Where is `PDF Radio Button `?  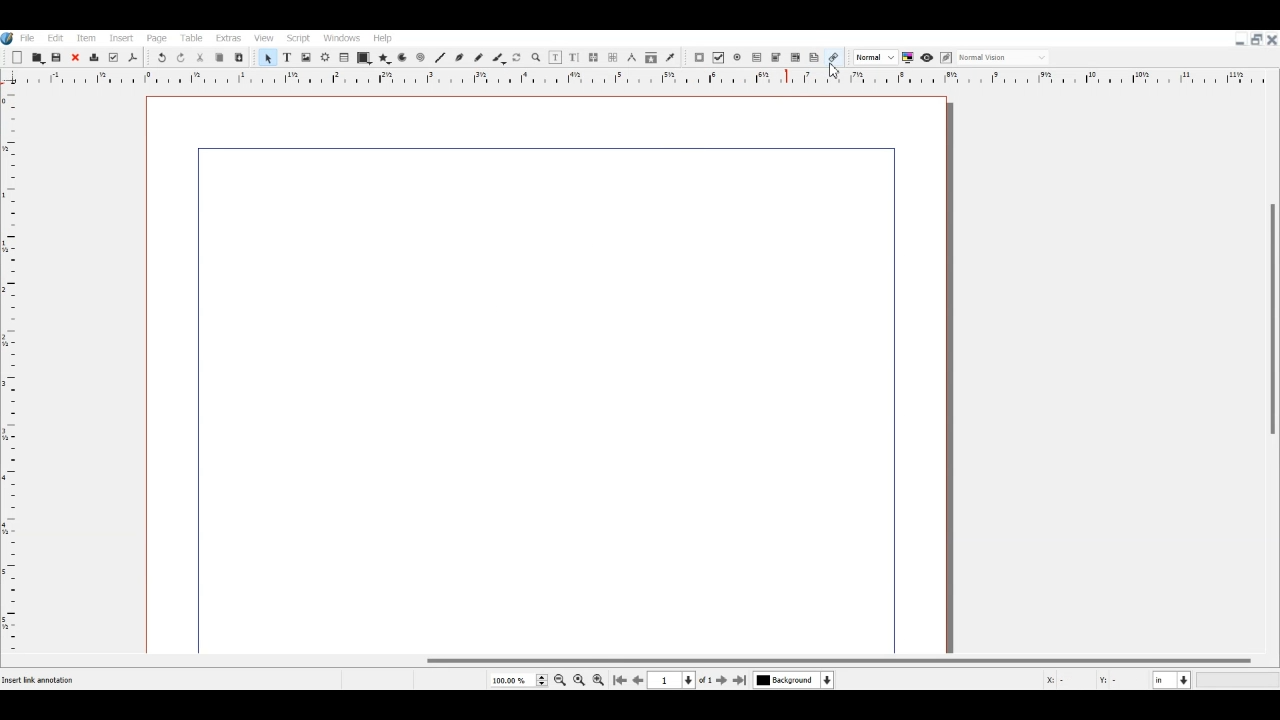
PDF Radio Button  is located at coordinates (739, 58).